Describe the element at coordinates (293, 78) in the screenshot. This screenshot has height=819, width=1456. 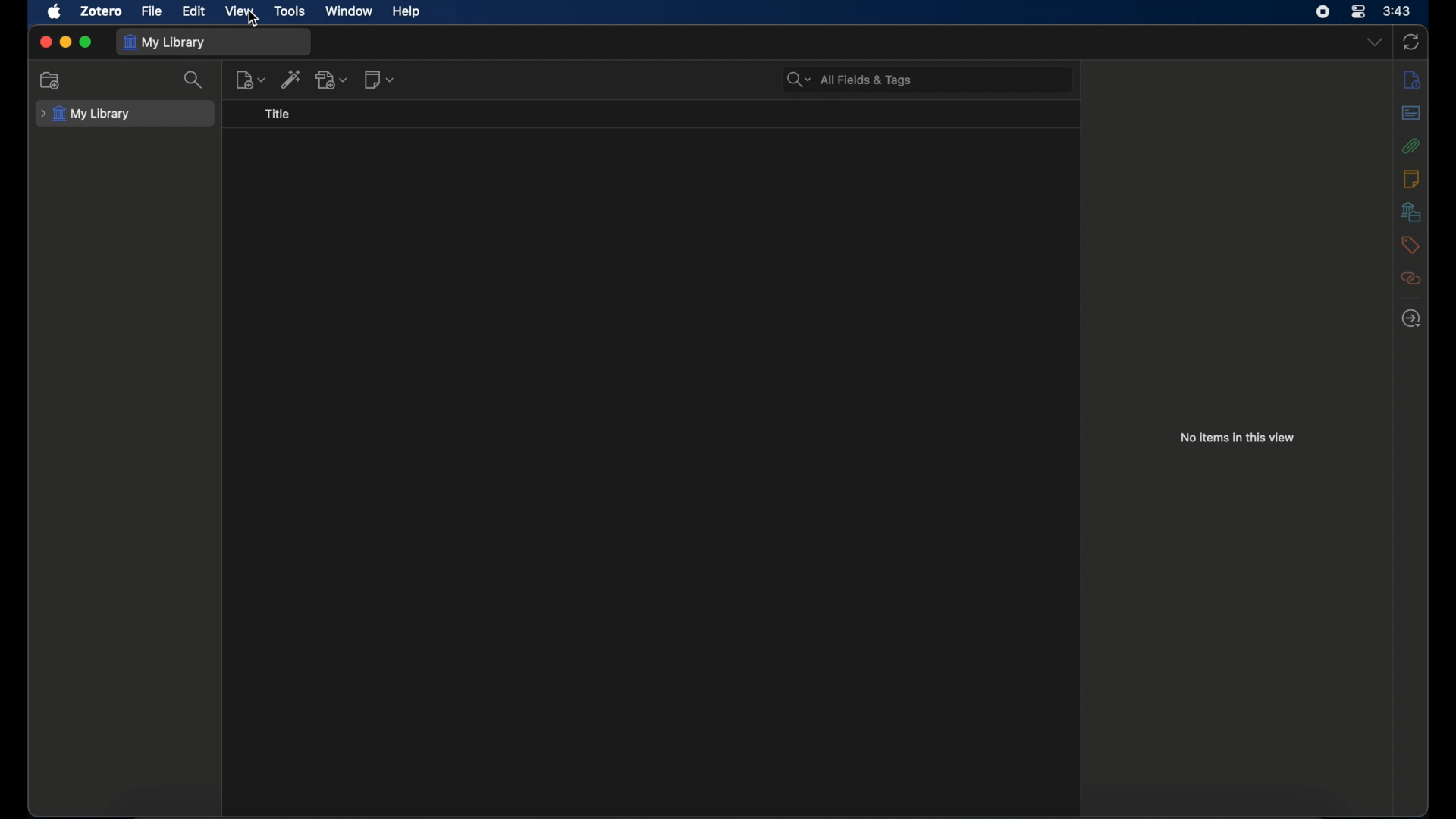
I see `add item by identifier` at that location.